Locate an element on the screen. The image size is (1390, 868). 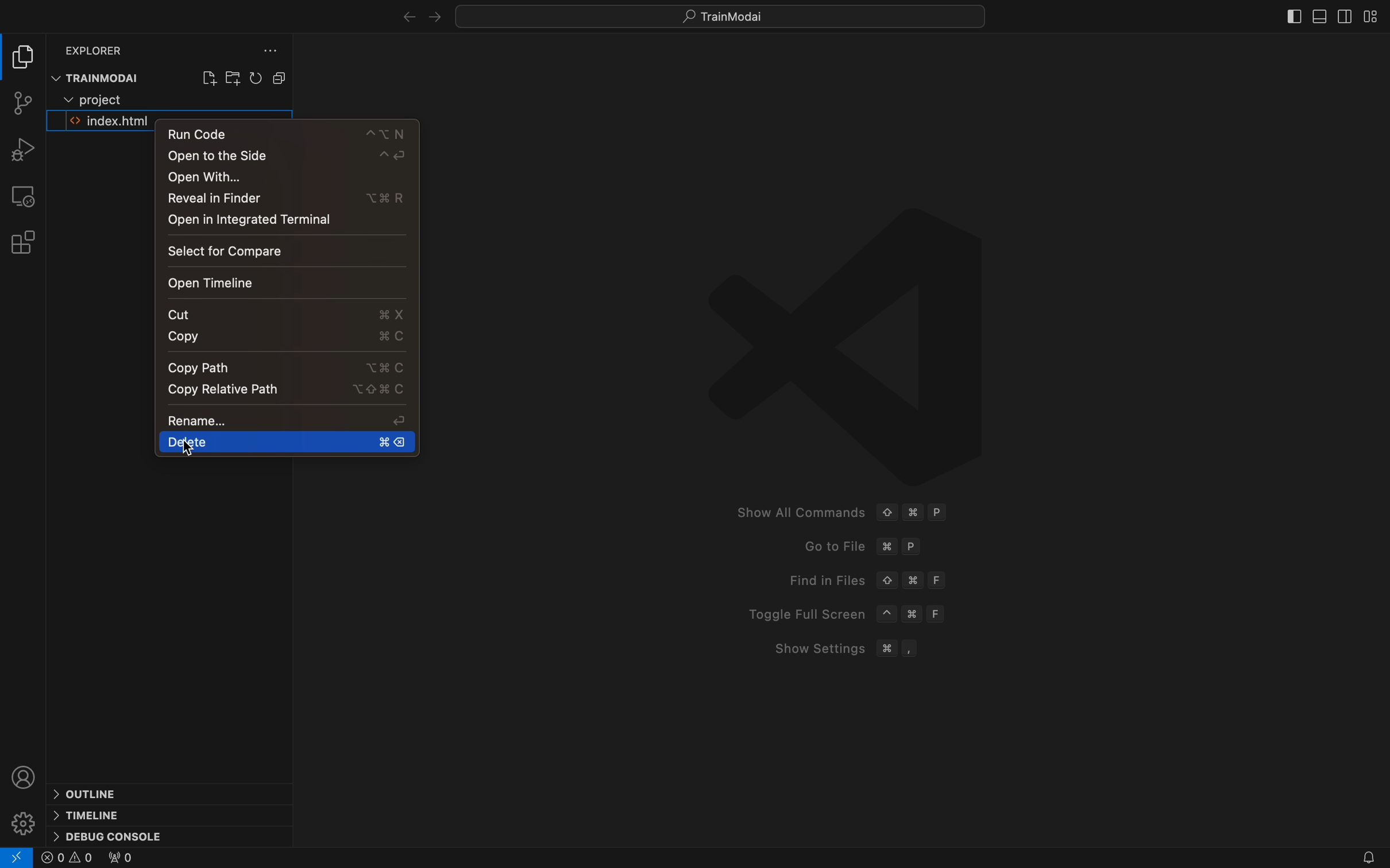
profile is located at coordinates (25, 776).